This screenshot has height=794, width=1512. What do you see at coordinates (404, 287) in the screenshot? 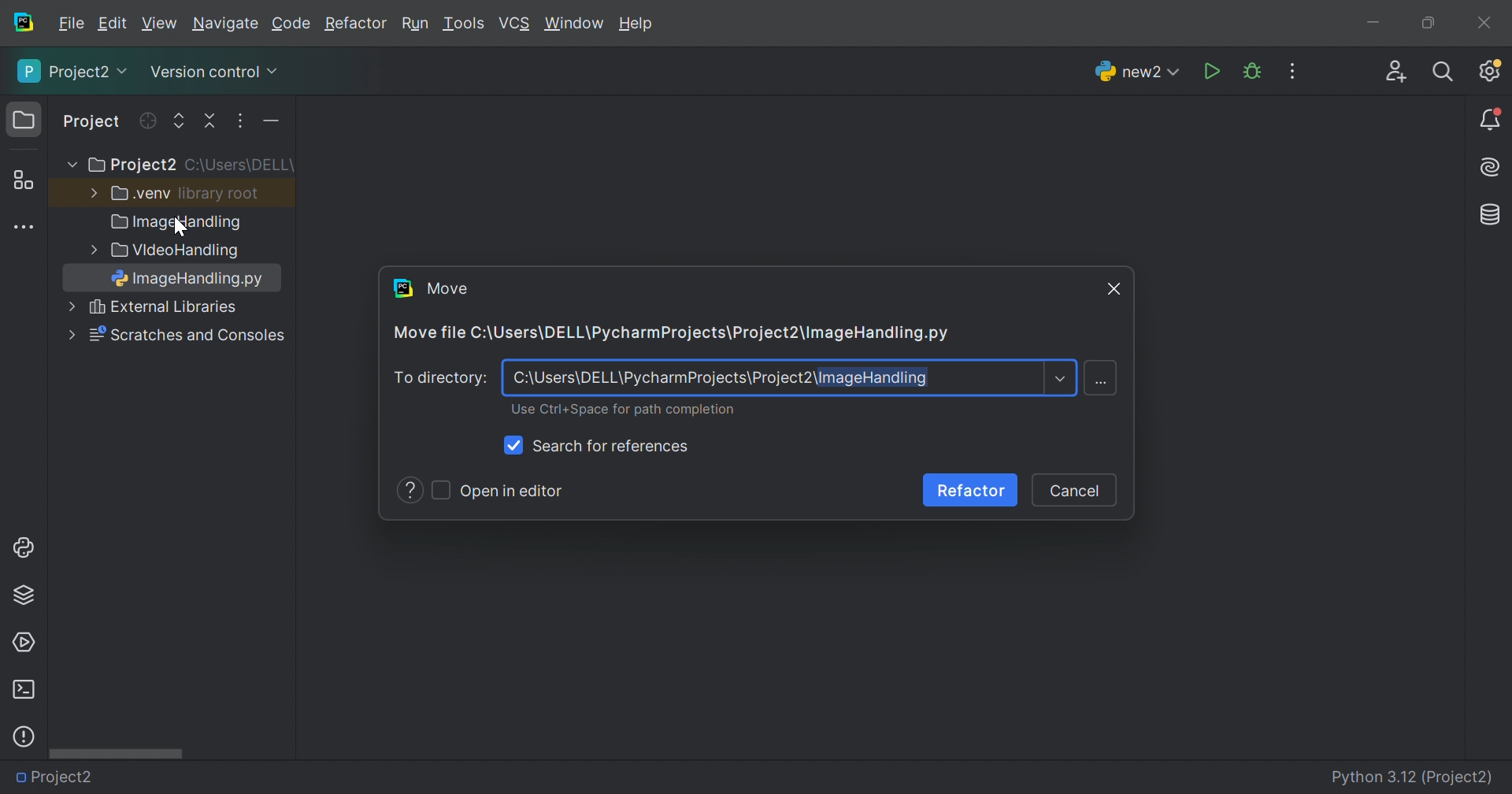
I see `PyCharm icon` at bounding box center [404, 287].